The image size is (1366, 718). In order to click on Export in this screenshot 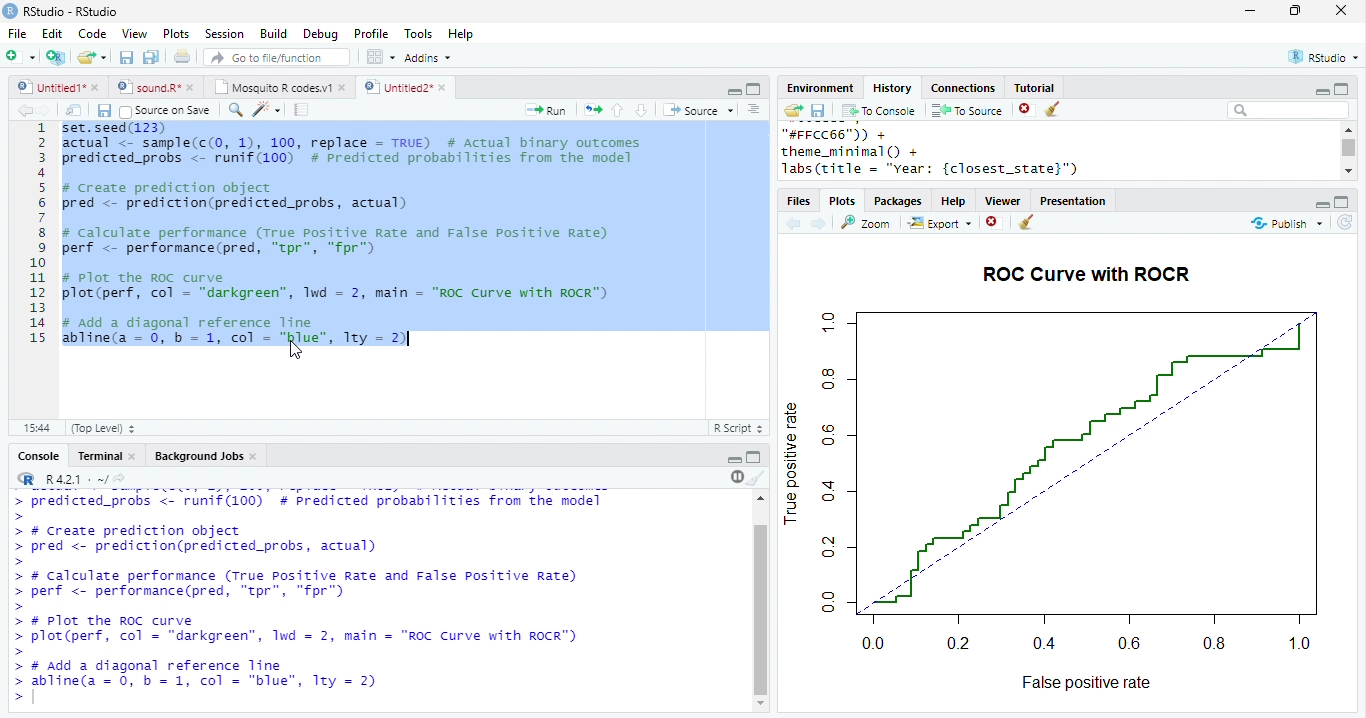, I will do `click(941, 224)`.